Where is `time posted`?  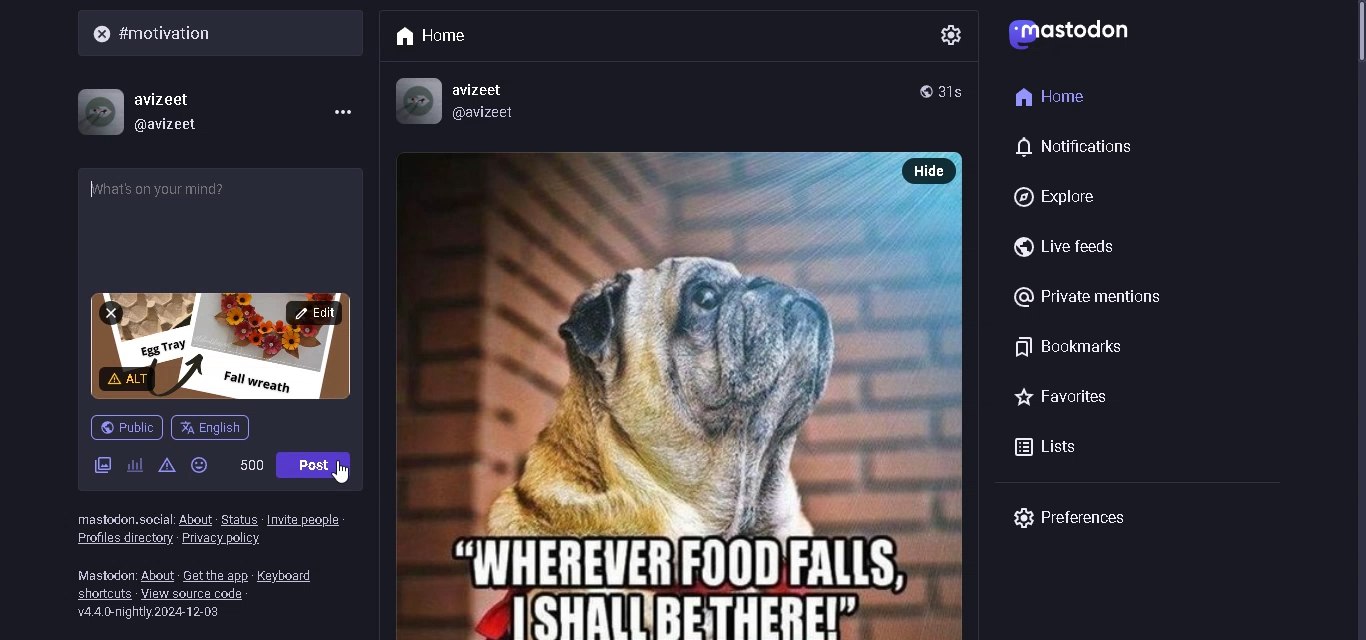
time posted is located at coordinates (956, 91).